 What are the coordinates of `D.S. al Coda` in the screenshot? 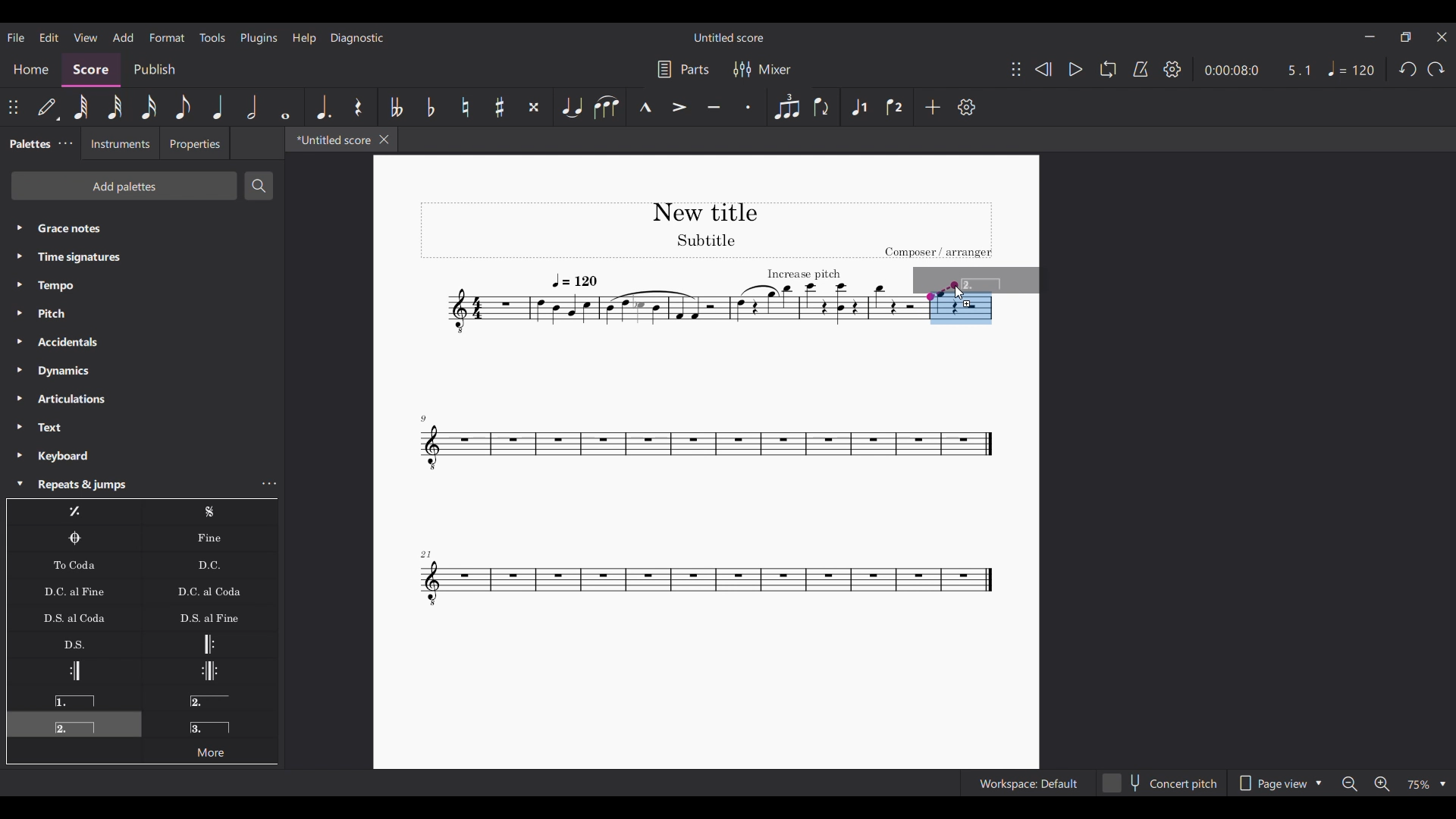 It's located at (74, 617).